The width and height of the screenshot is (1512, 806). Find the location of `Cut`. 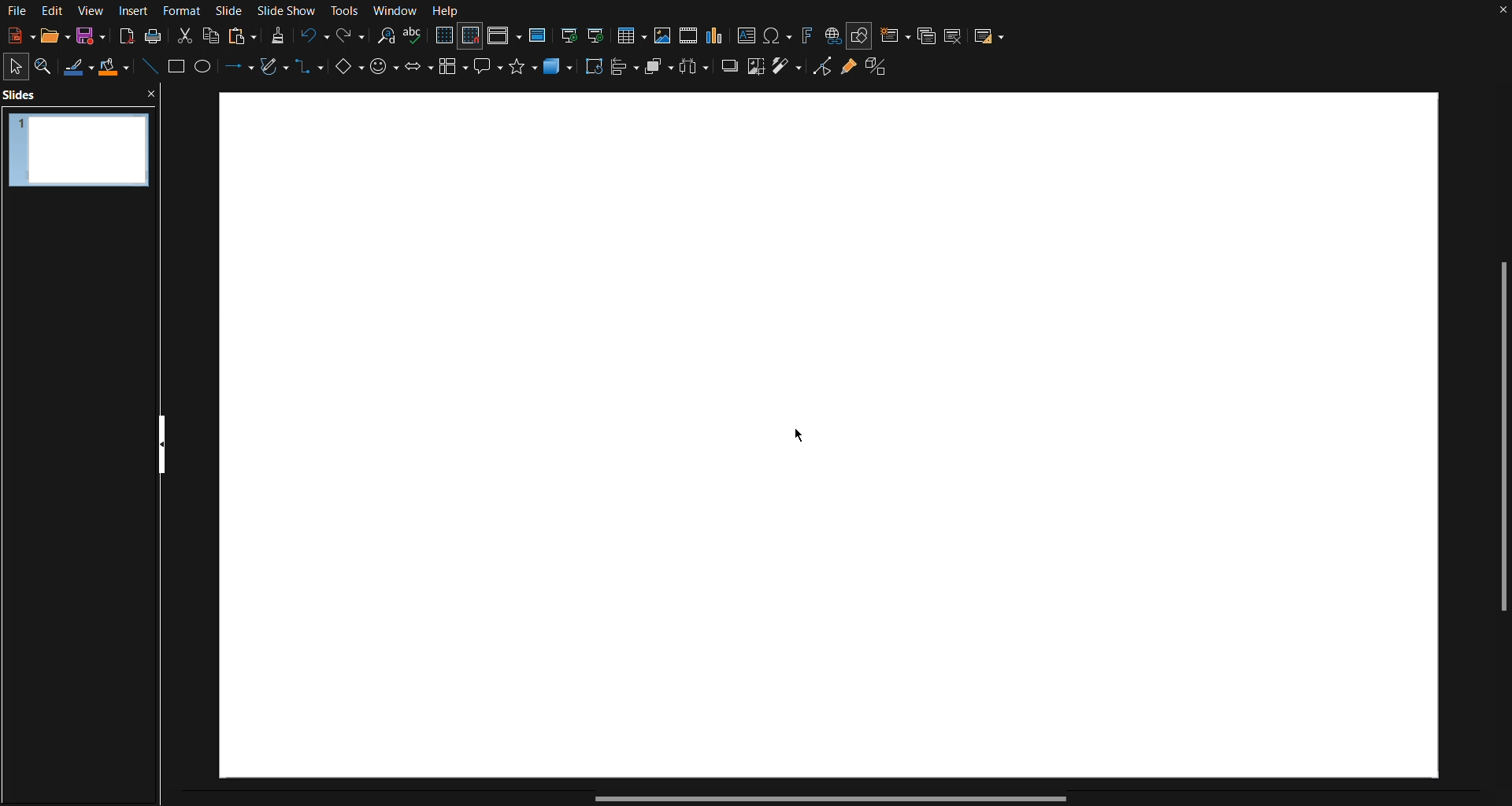

Cut is located at coordinates (183, 35).